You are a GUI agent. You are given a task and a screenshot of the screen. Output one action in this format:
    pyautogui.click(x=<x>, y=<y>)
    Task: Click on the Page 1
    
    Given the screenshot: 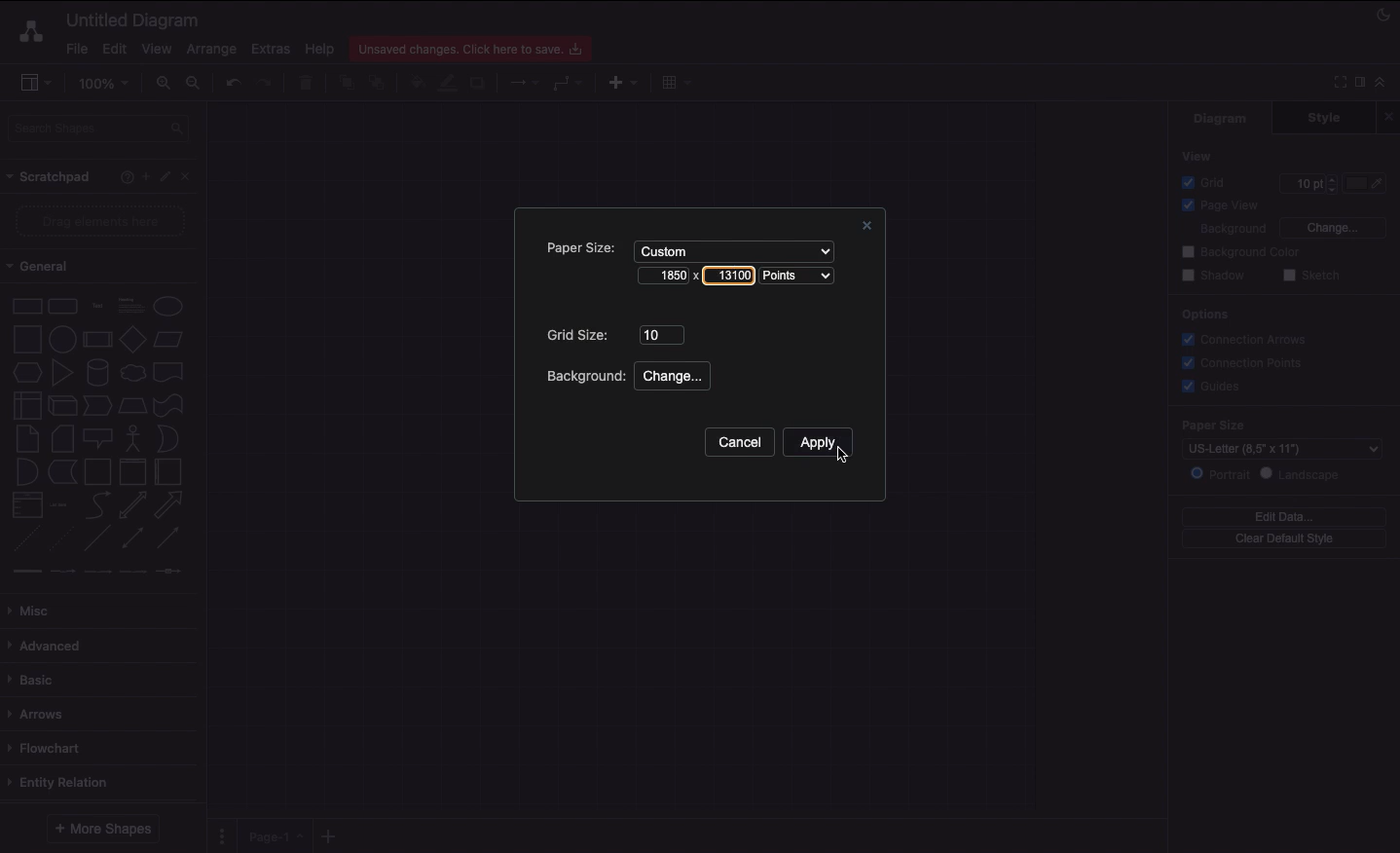 What is the action you would take?
    pyautogui.click(x=273, y=834)
    